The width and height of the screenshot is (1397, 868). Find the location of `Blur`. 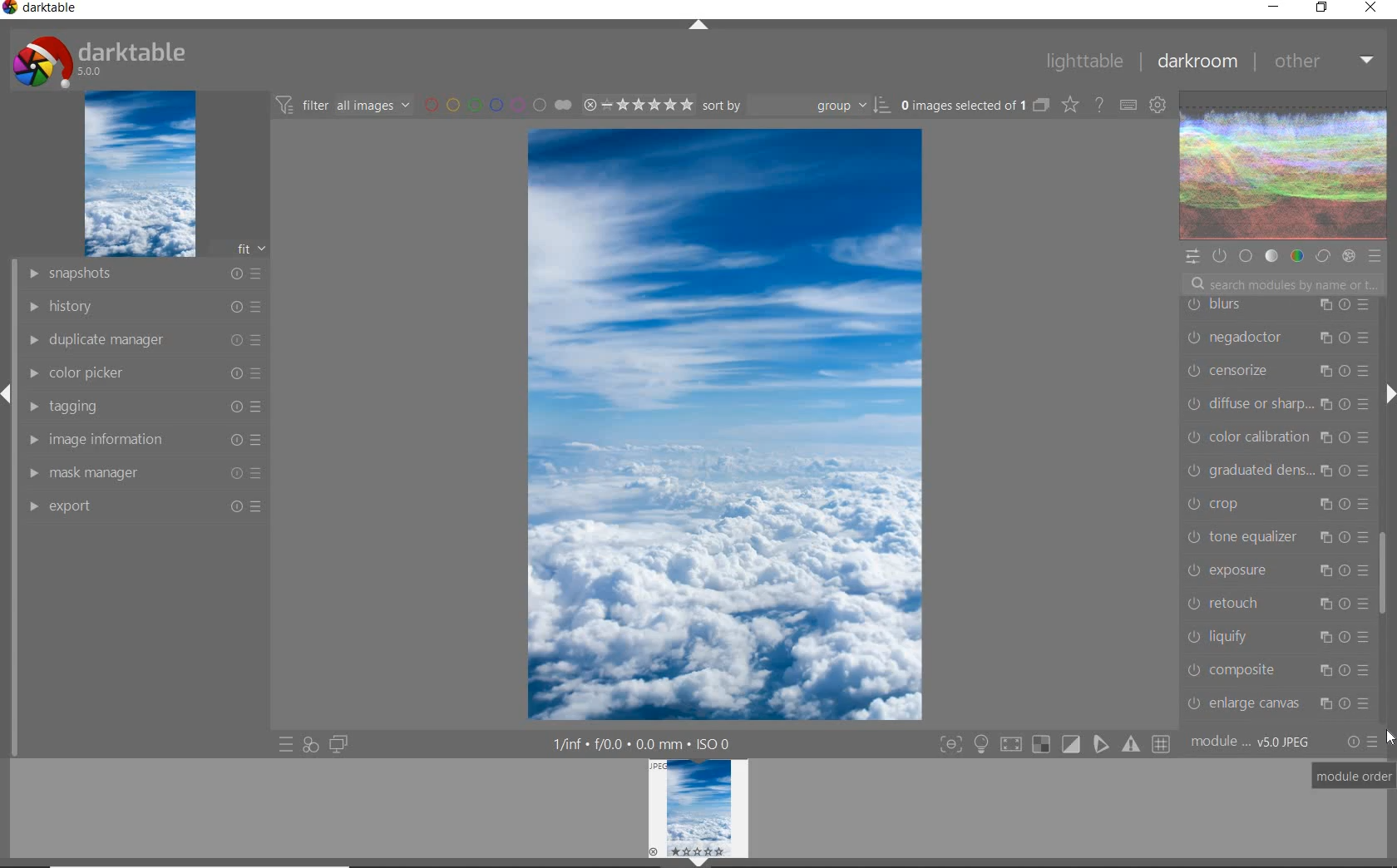

Blur is located at coordinates (1279, 306).